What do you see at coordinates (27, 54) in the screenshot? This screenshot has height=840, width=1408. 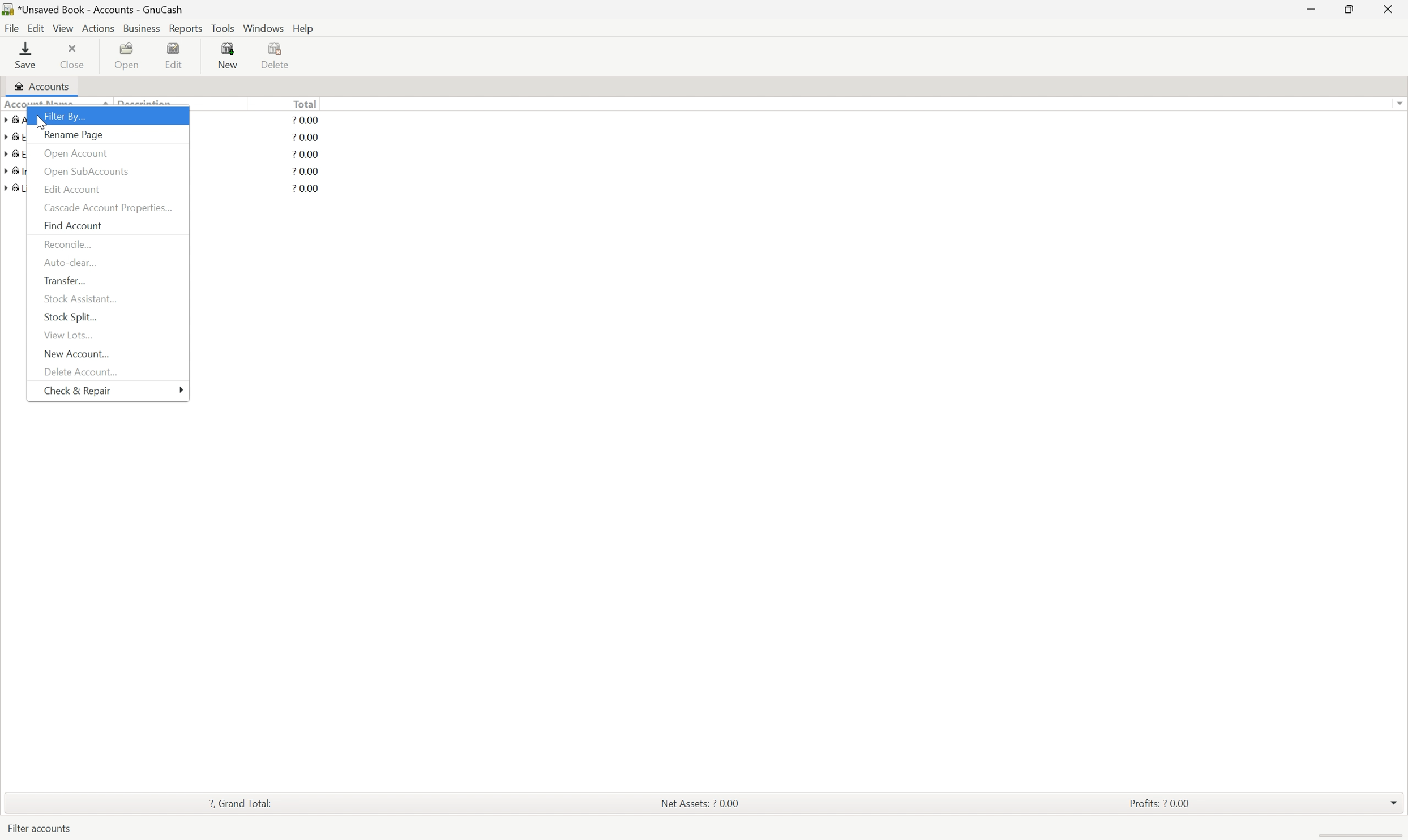 I see `save` at bounding box center [27, 54].